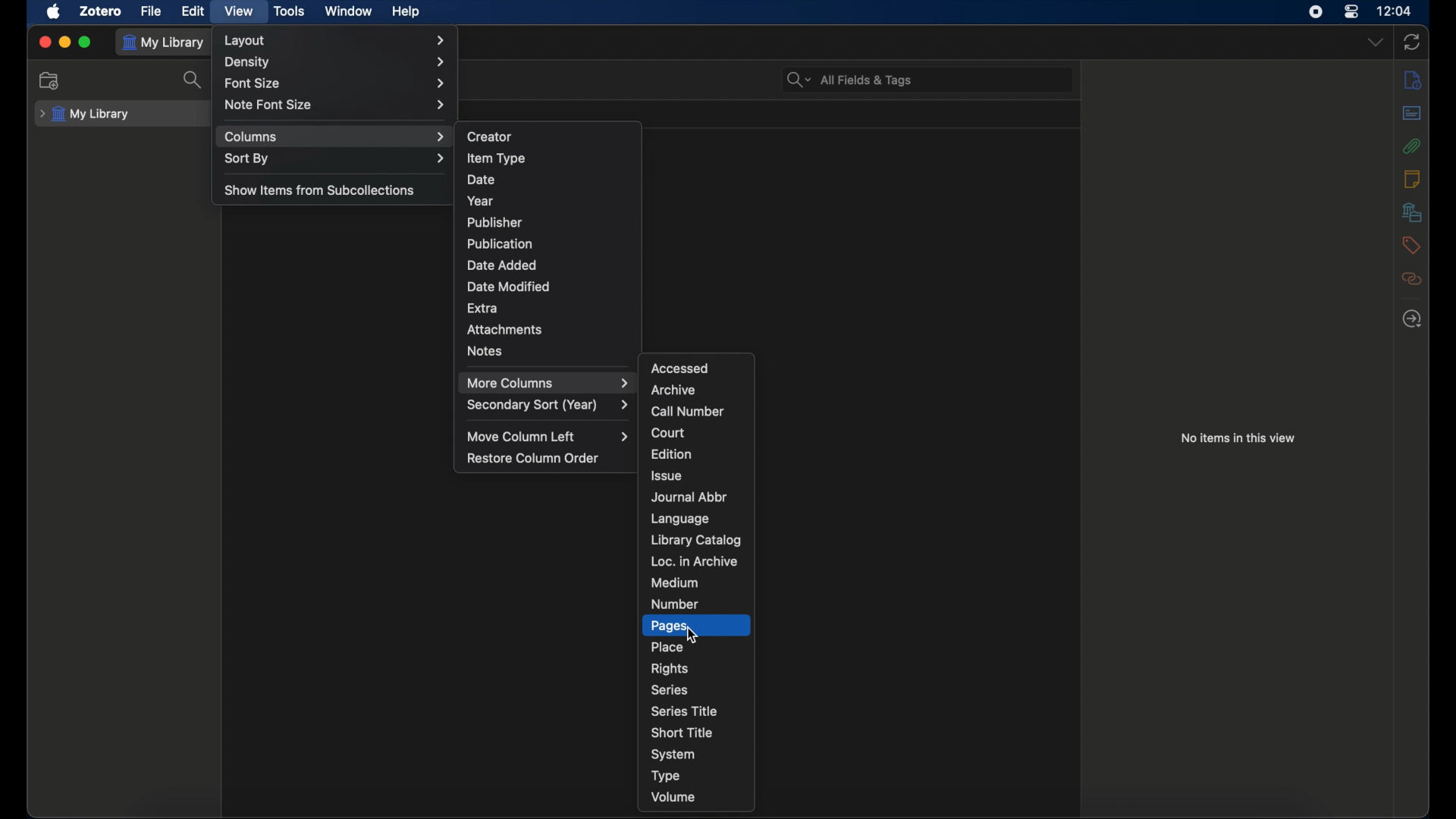 This screenshot has width=1456, height=819. I want to click on attachments, so click(504, 329).